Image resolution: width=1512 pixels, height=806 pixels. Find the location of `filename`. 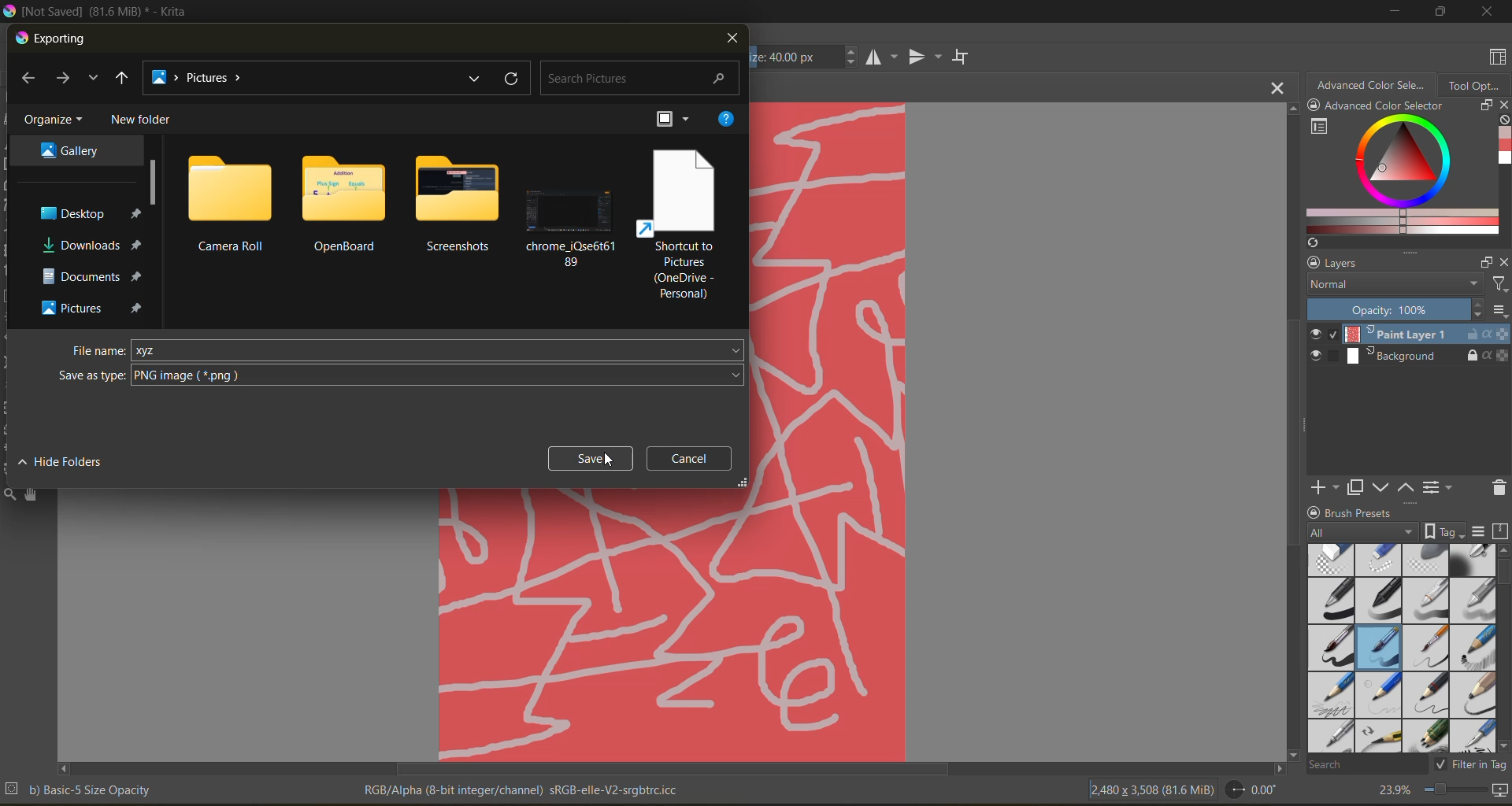

filename is located at coordinates (99, 351).